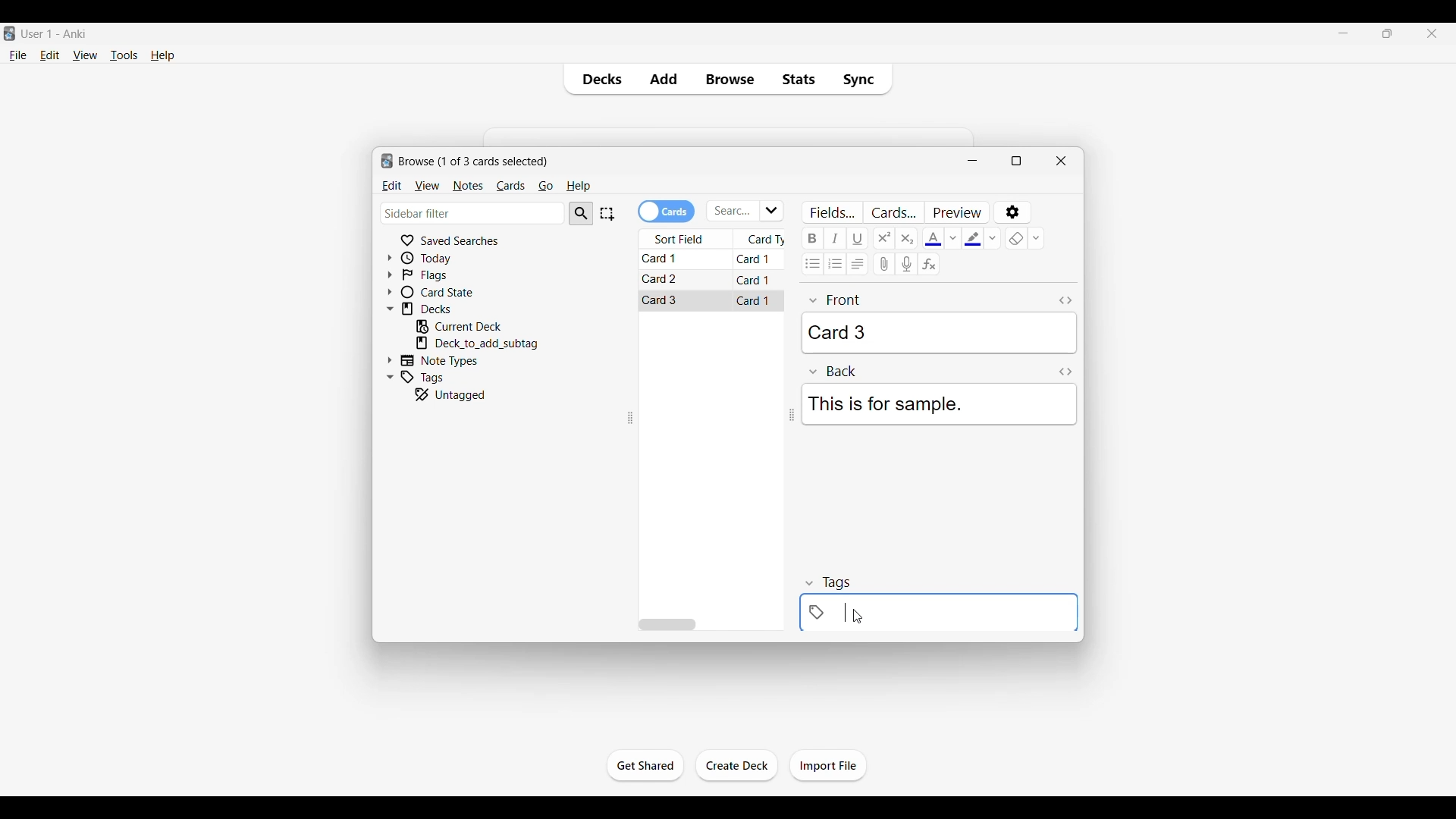 This screenshot has width=1456, height=819. I want to click on tags, so click(827, 582).